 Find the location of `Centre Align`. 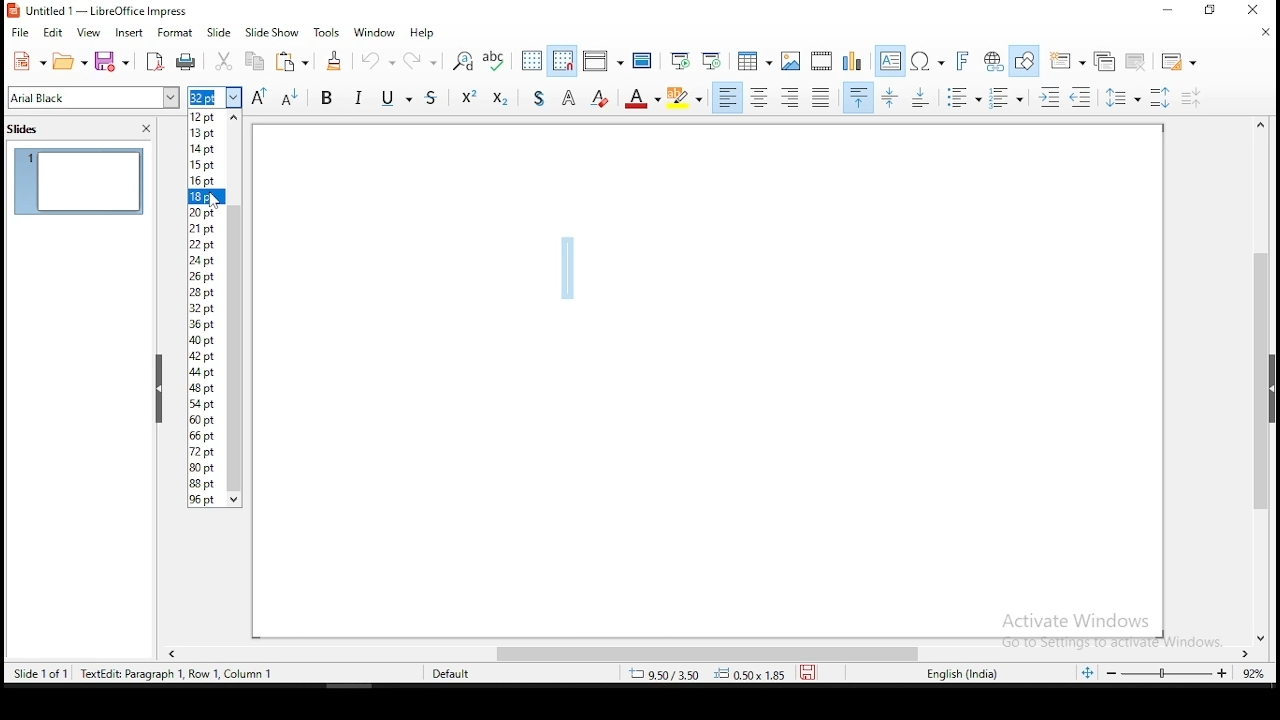

Centre Align is located at coordinates (759, 97).